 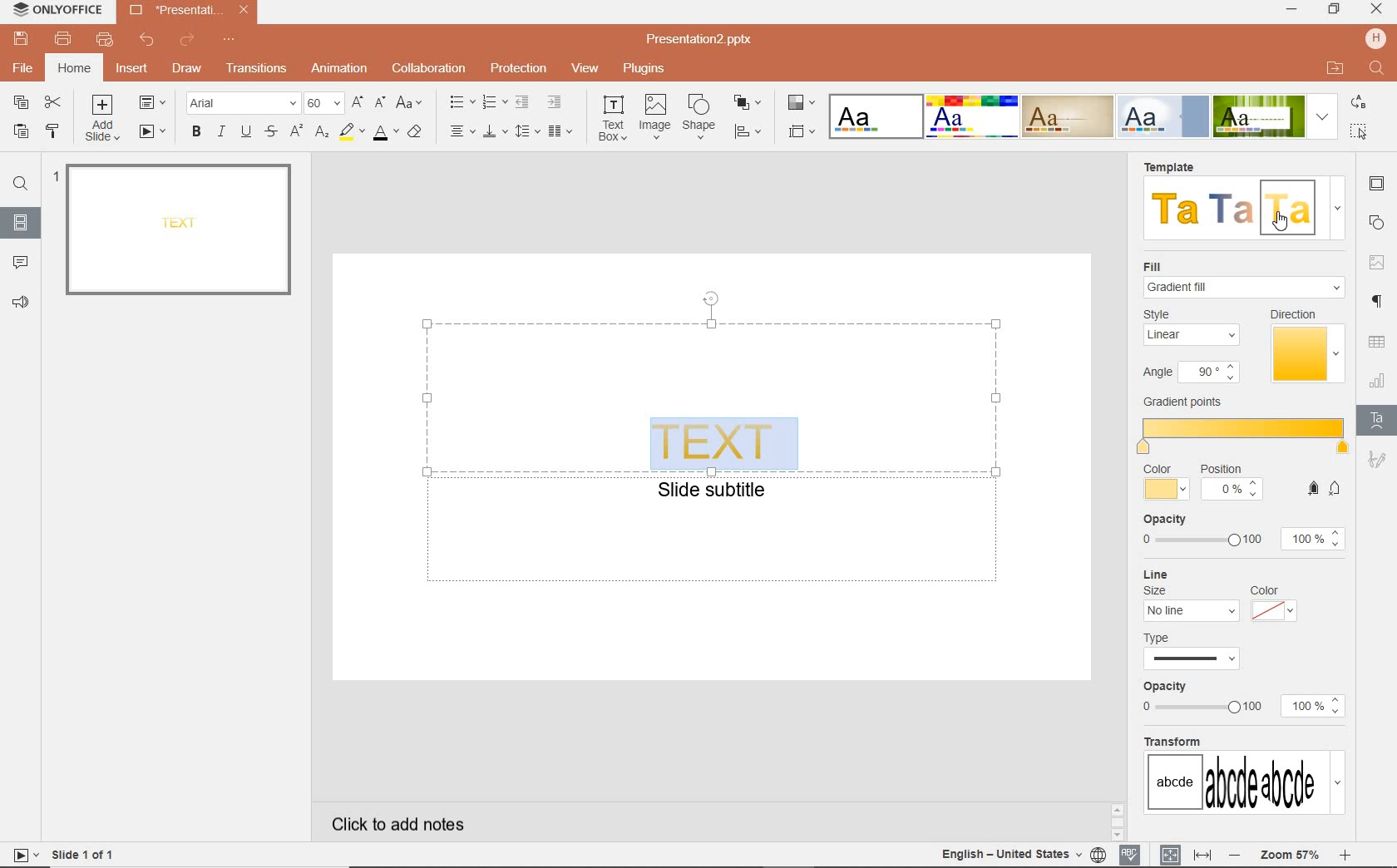 What do you see at coordinates (462, 132) in the screenshot?
I see `HORIZONTAL ALIGN` at bounding box center [462, 132].